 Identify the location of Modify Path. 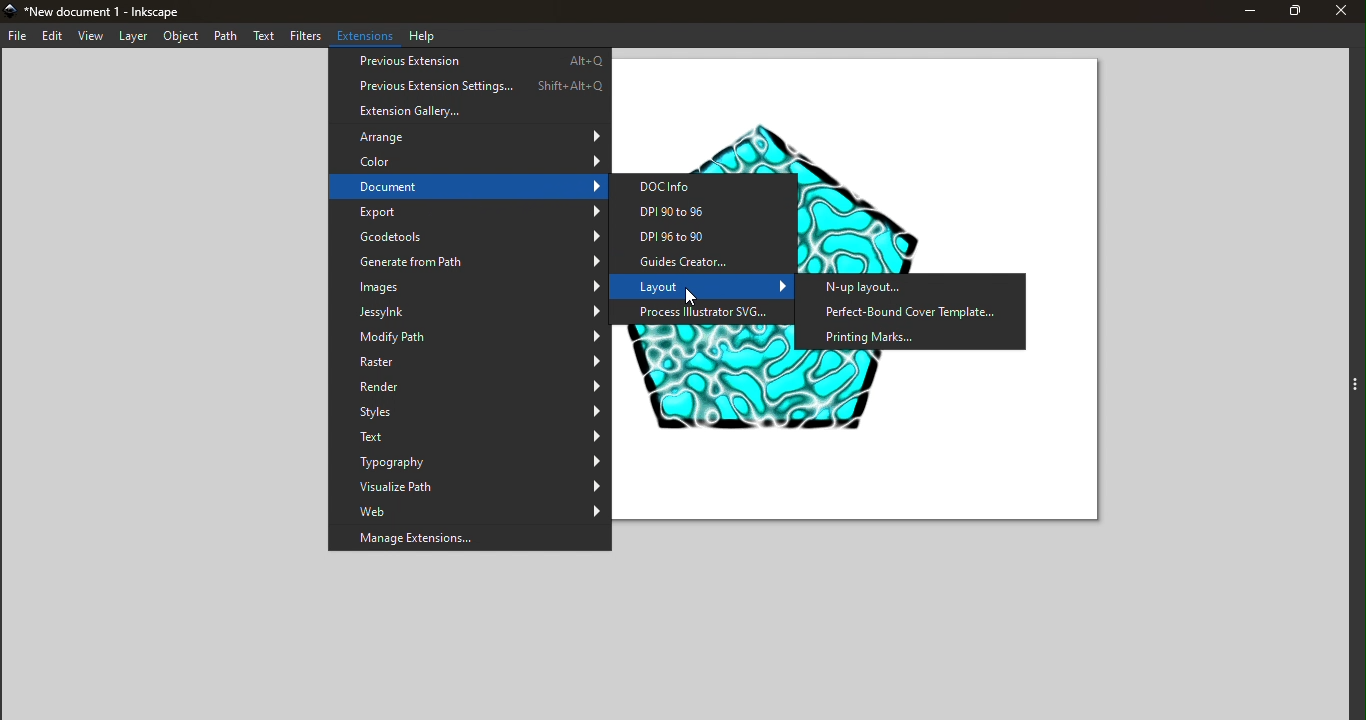
(471, 339).